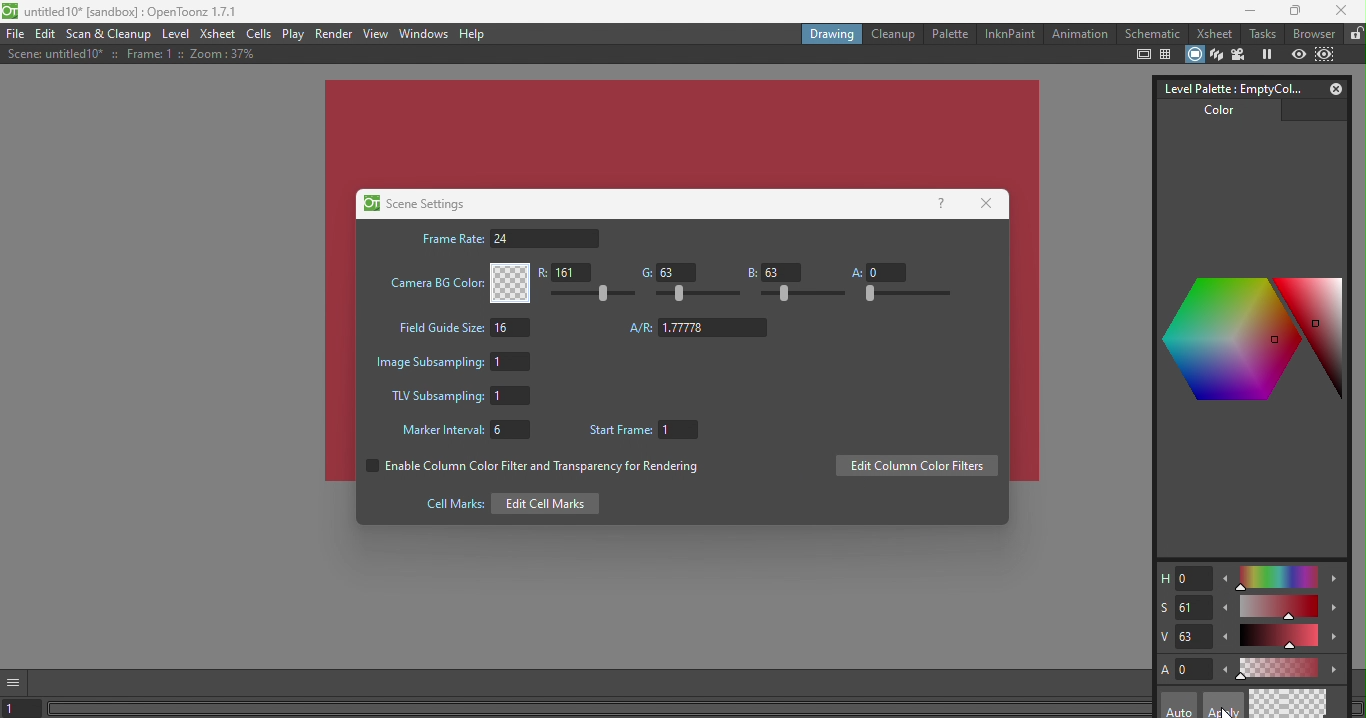 This screenshot has height=718, width=1366. I want to click on Frame rate, so click(509, 238).